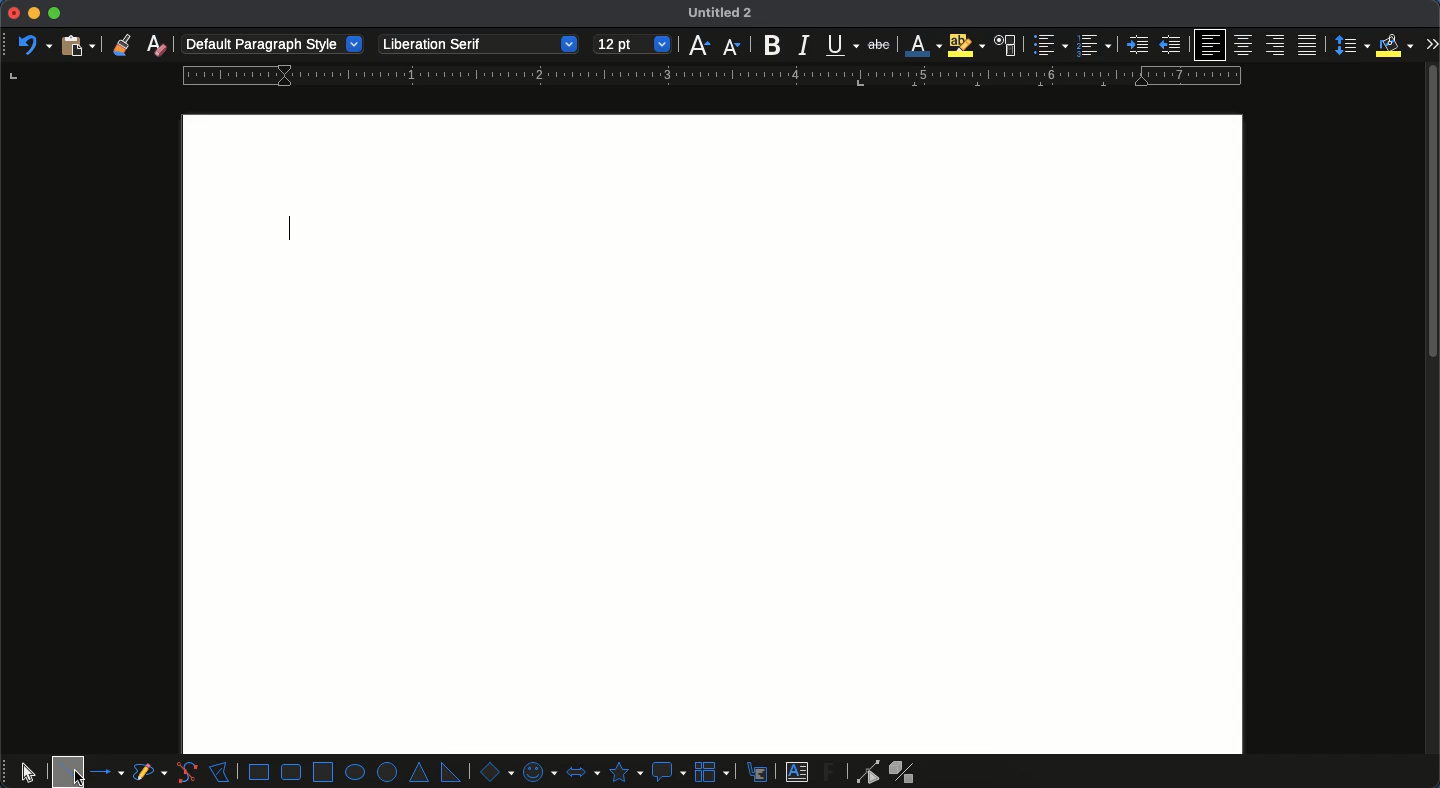 The image size is (1440, 788). Describe the element at coordinates (1431, 45) in the screenshot. I see `expand` at that location.